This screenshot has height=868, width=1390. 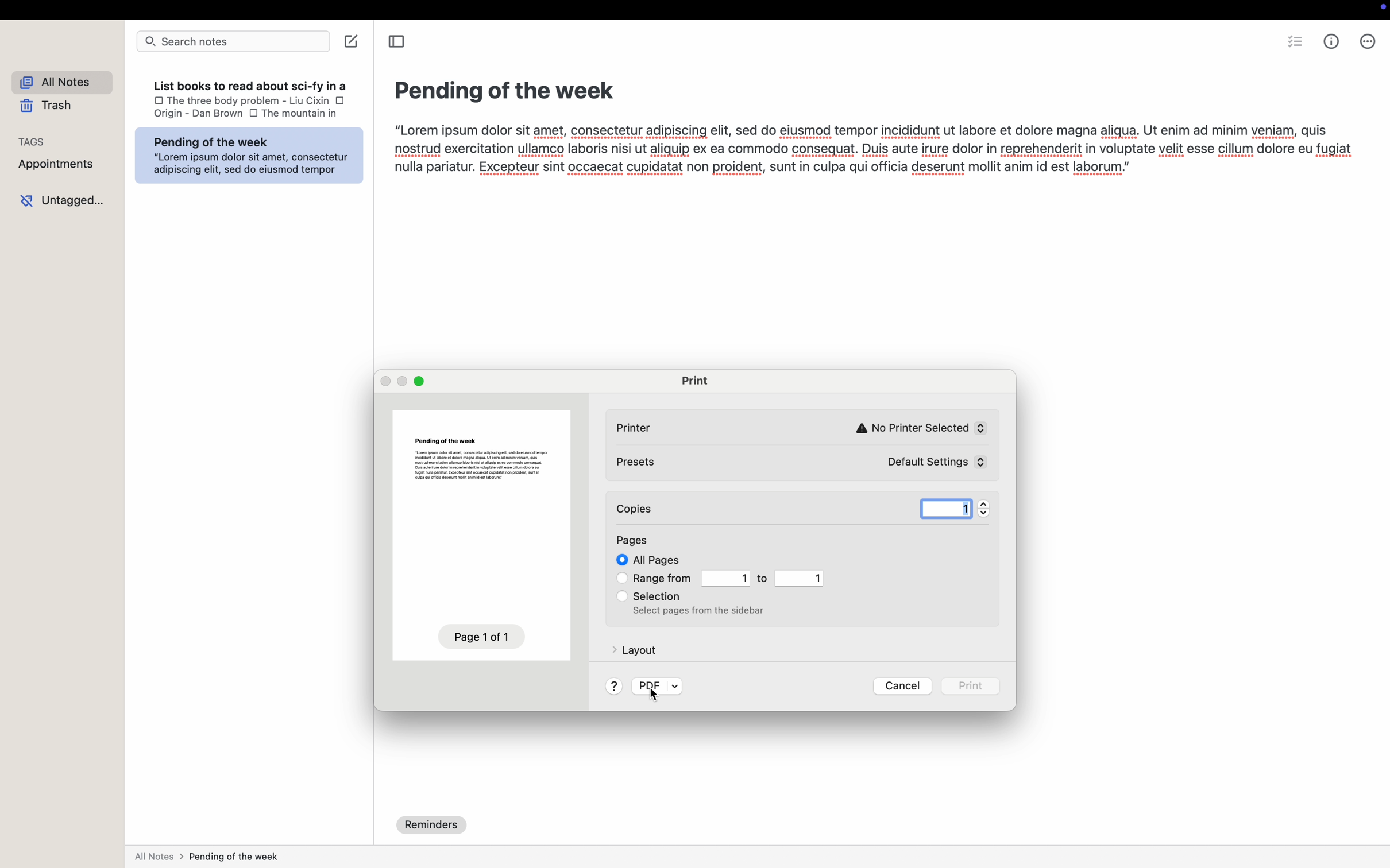 I want to click on Origin - Dan Brown, so click(x=194, y=116).